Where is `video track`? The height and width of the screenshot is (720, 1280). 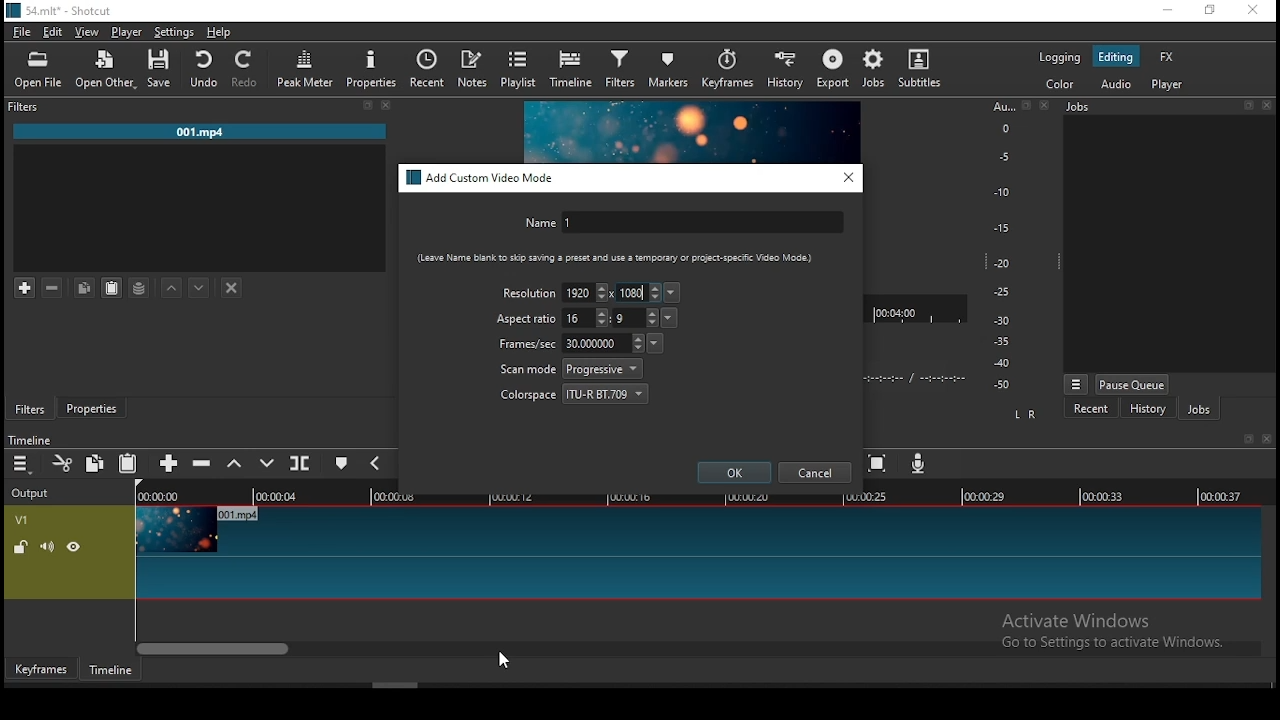 video track is located at coordinates (696, 553).